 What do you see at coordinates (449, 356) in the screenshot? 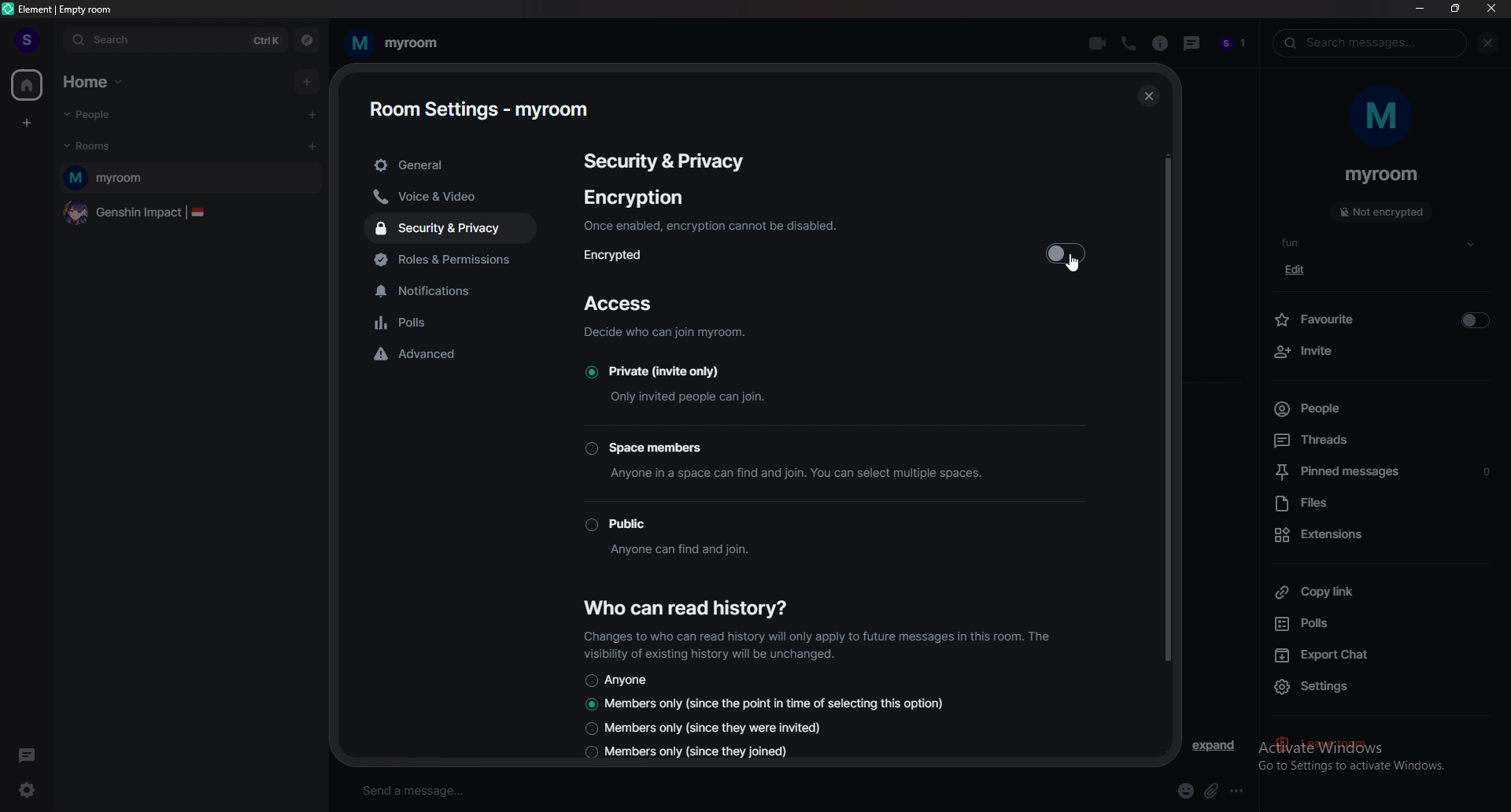
I see `advanced` at bounding box center [449, 356].